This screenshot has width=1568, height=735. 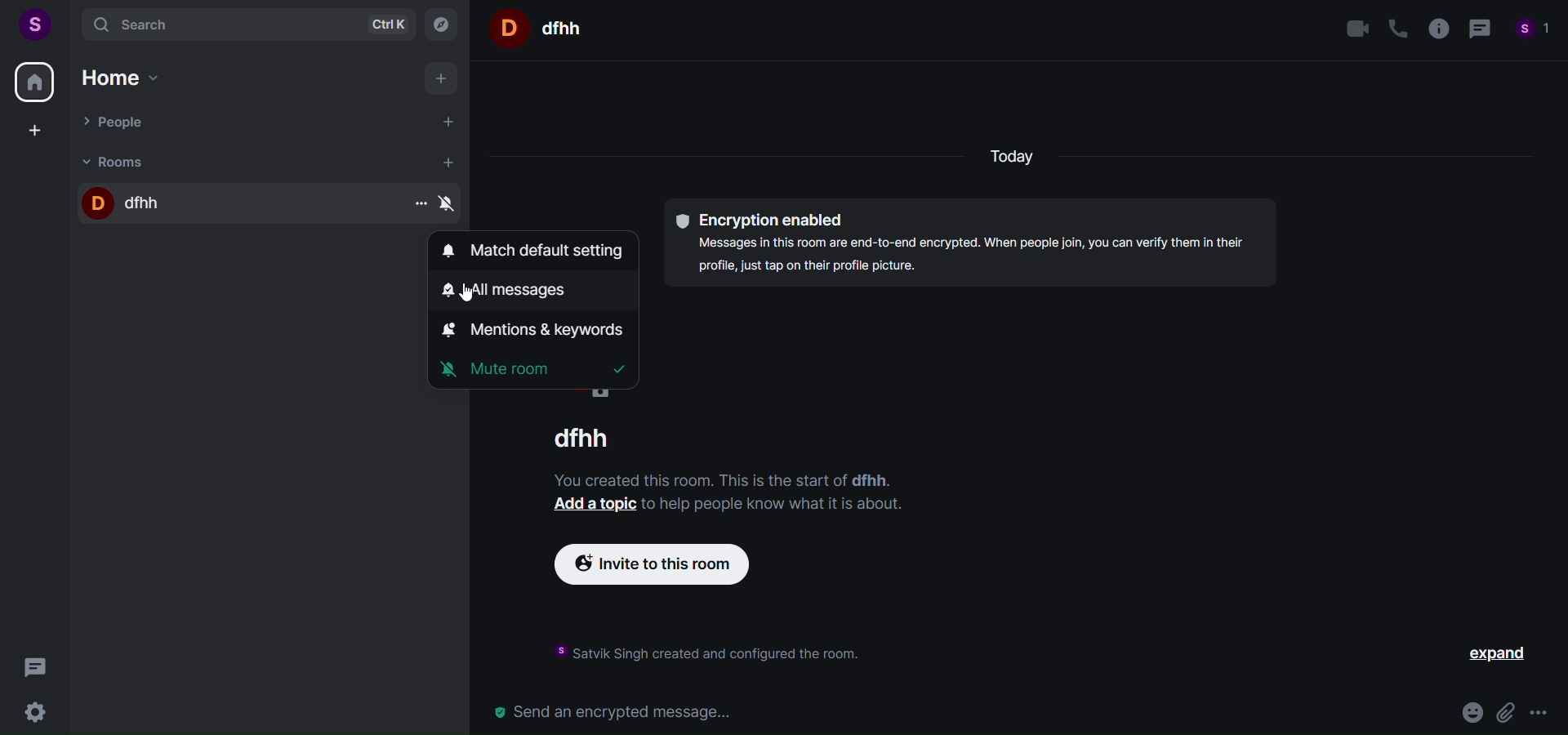 I want to click on room option, so click(x=417, y=204).